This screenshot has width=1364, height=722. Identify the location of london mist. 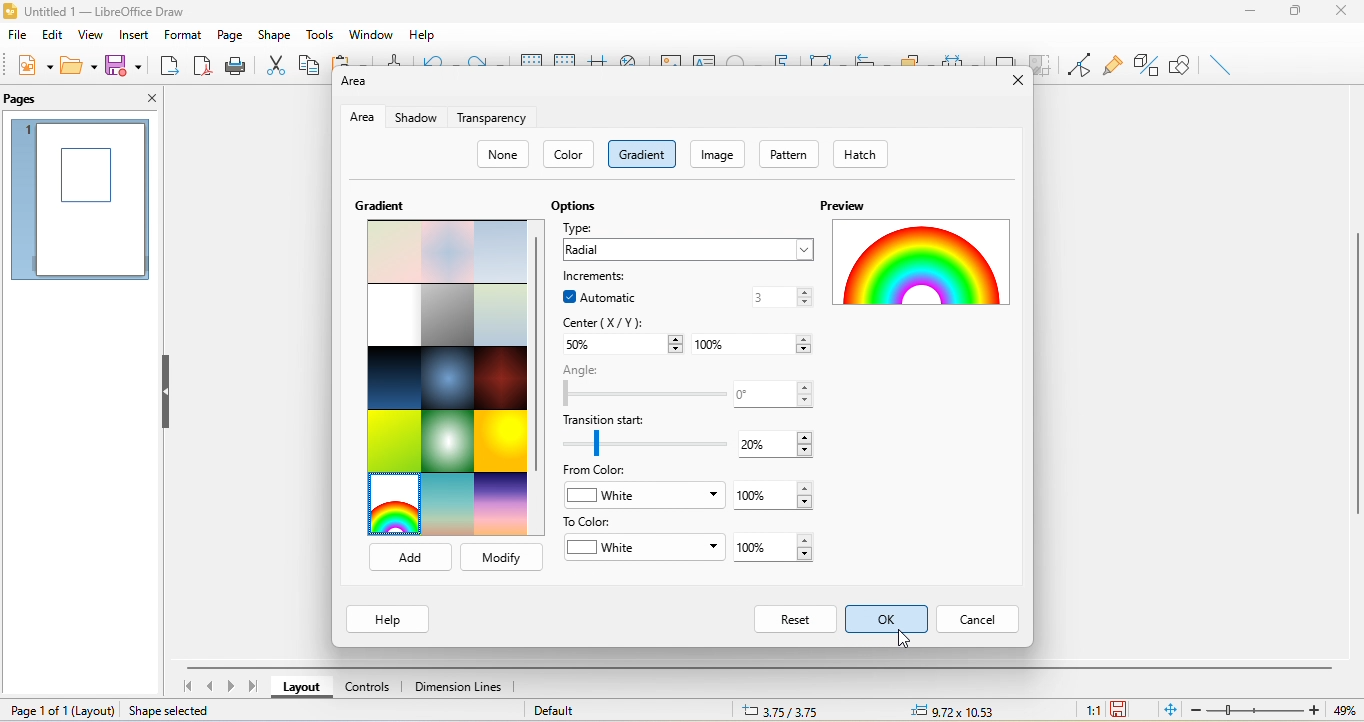
(443, 314).